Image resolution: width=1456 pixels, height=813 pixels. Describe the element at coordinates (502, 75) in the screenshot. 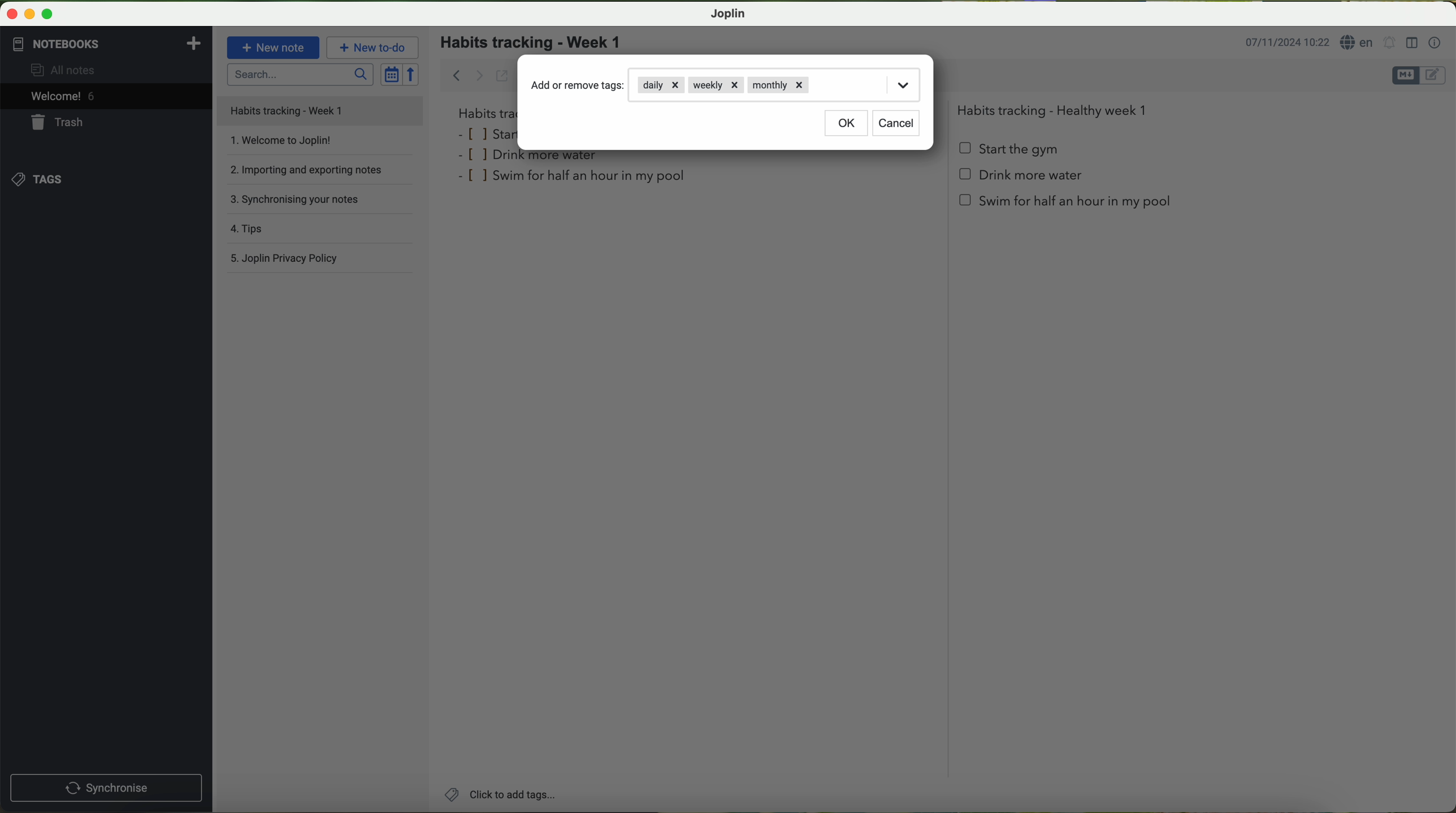

I see `toggle external editing` at that location.